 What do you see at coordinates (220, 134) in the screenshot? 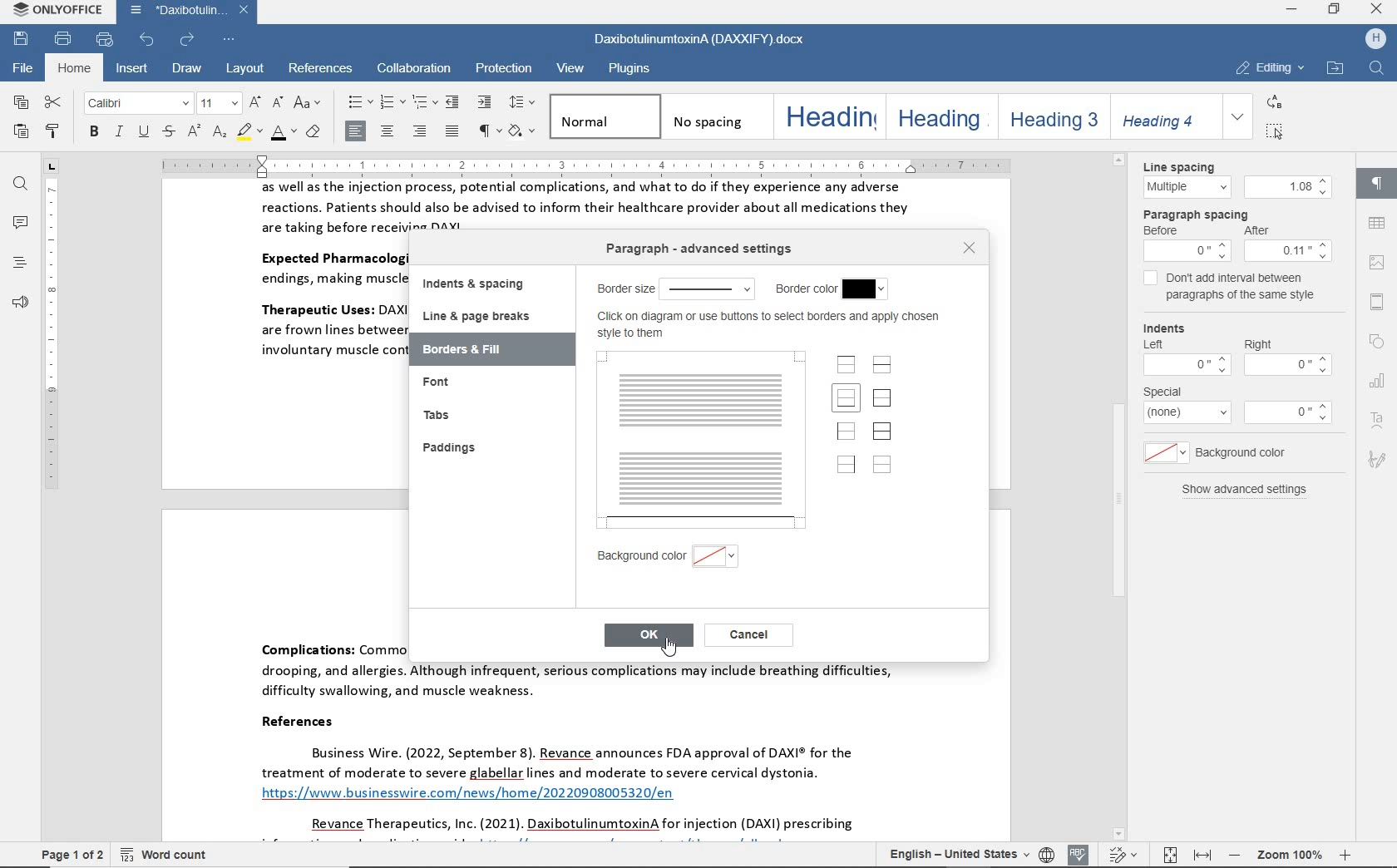
I see `subscript` at bounding box center [220, 134].